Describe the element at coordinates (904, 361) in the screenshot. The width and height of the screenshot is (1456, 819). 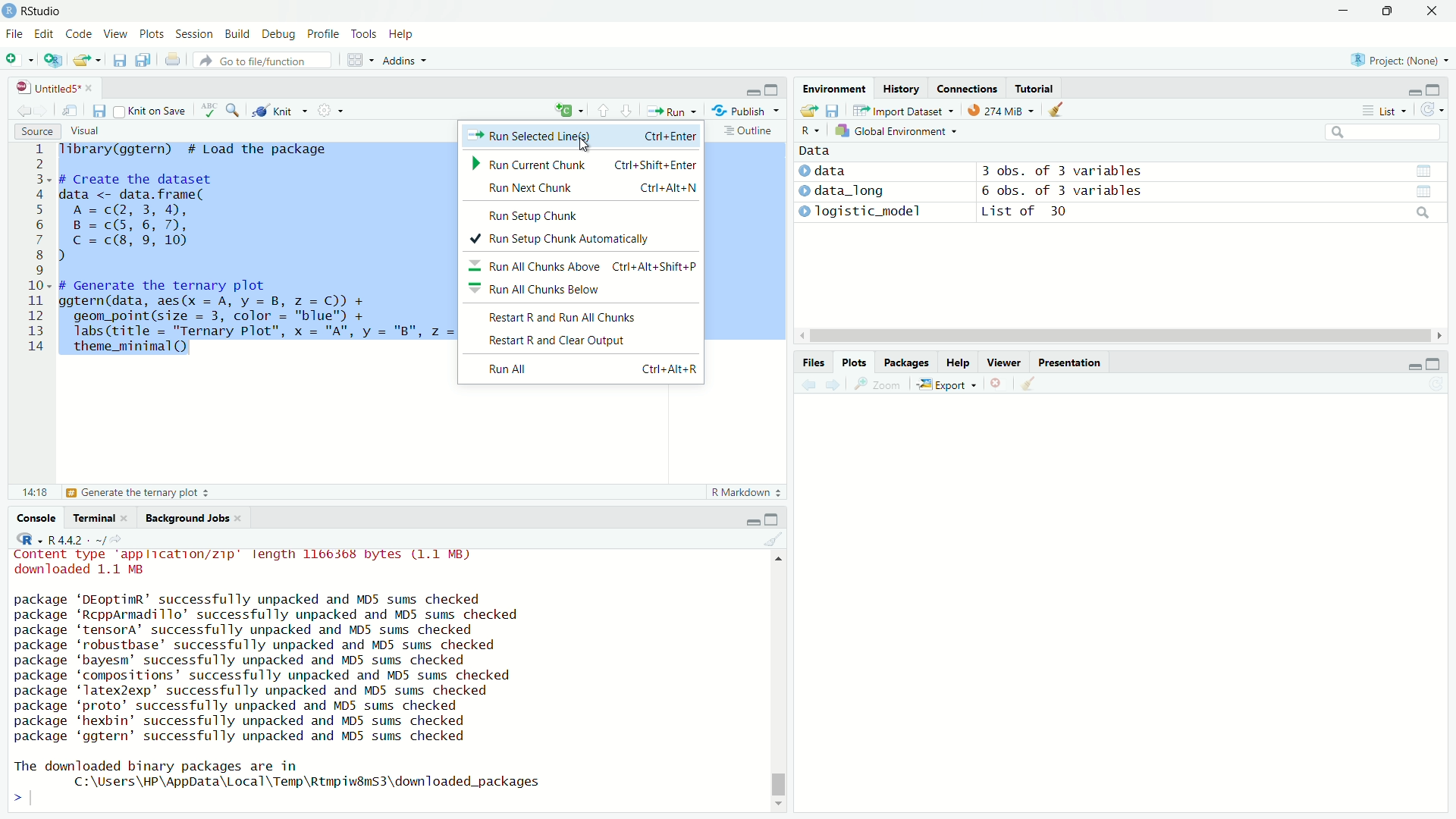
I see `Packages` at that location.